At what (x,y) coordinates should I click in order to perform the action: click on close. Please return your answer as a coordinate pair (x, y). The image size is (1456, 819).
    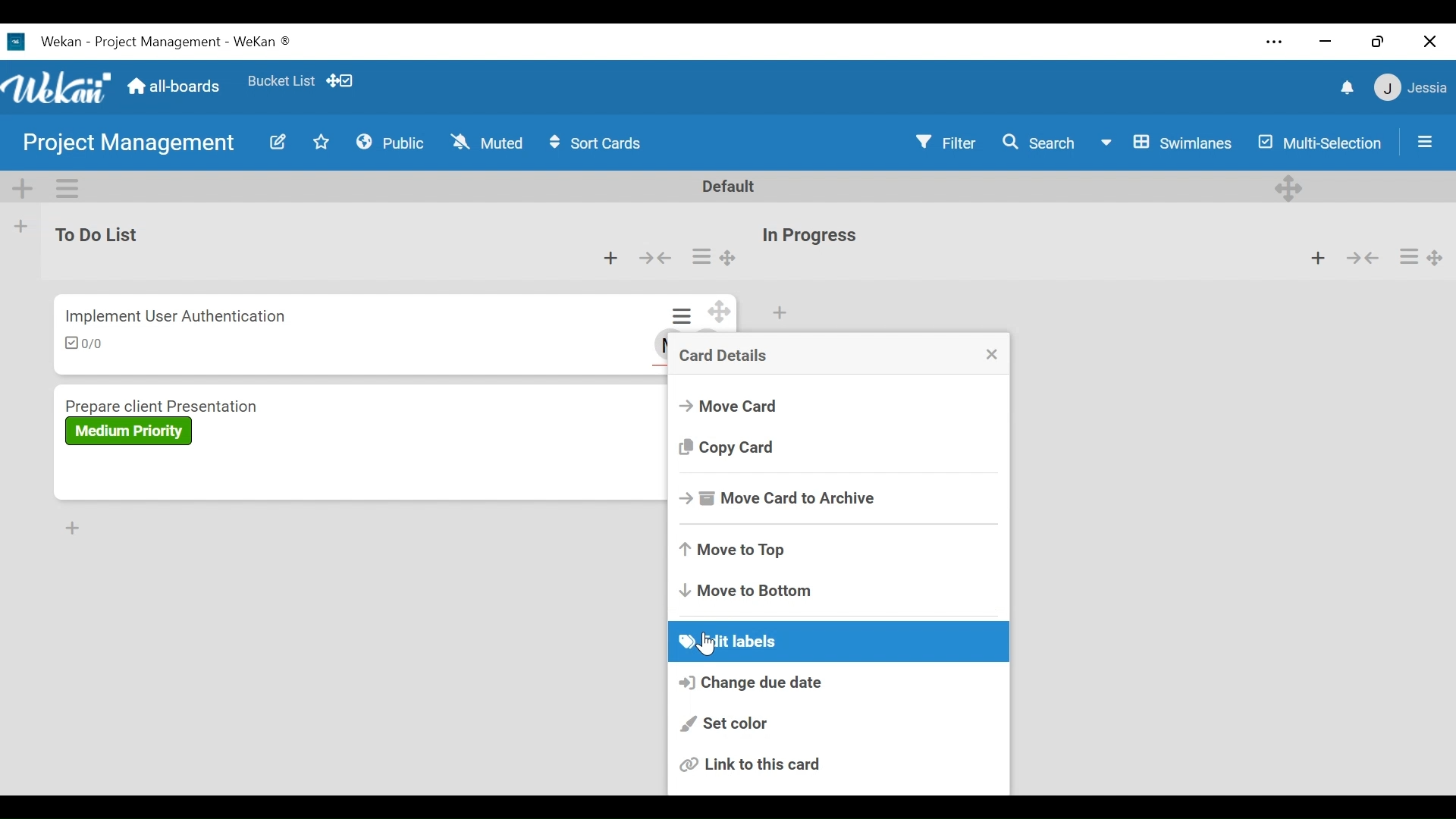
    Looking at the image, I should click on (990, 355).